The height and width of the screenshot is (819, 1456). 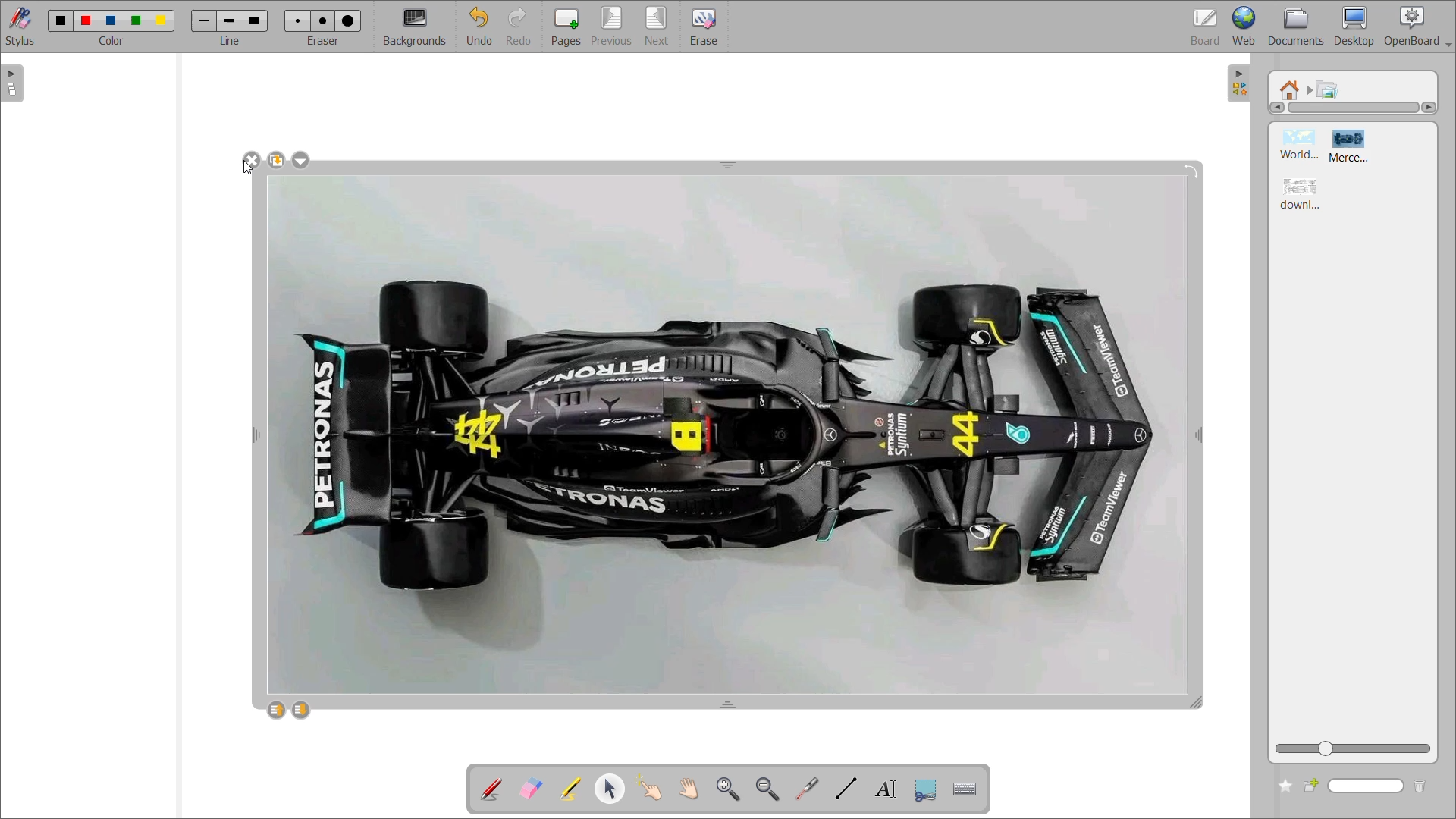 I want to click on create new folder, so click(x=1311, y=789).